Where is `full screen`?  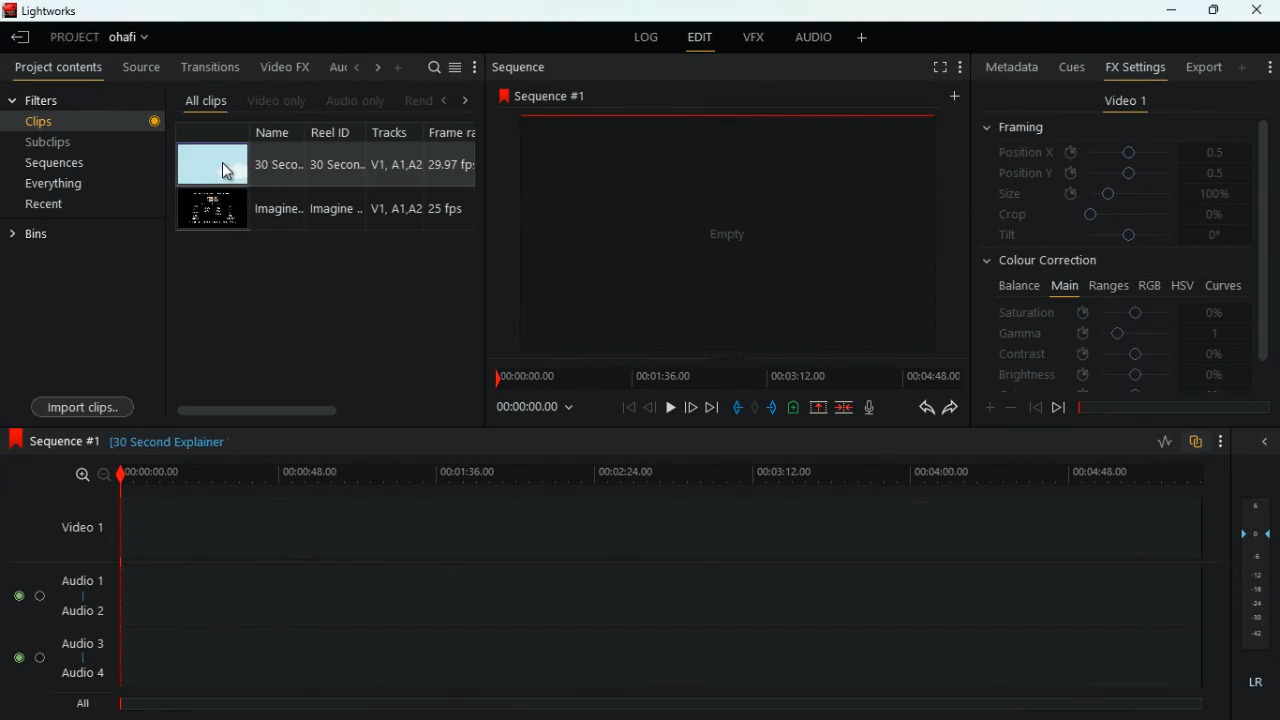 full screen is located at coordinates (937, 68).